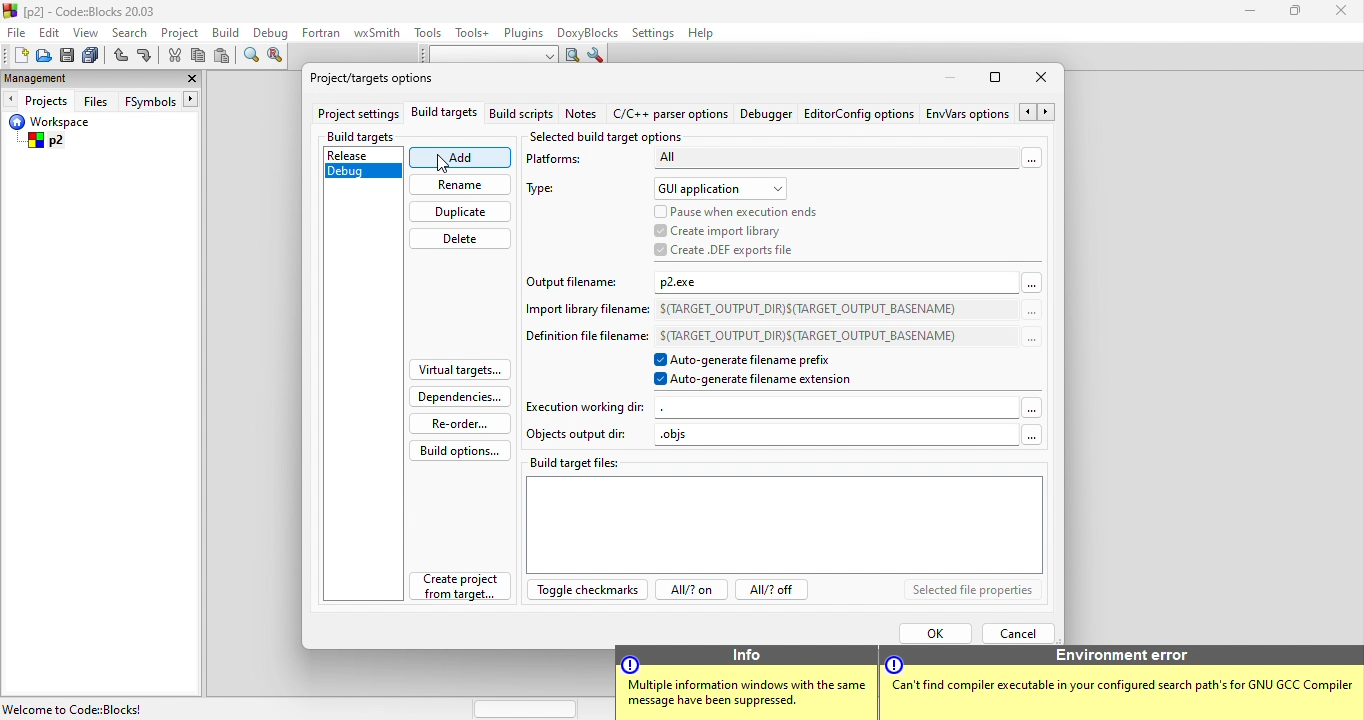 The image size is (1364, 720). I want to click on cut, so click(174, 56).